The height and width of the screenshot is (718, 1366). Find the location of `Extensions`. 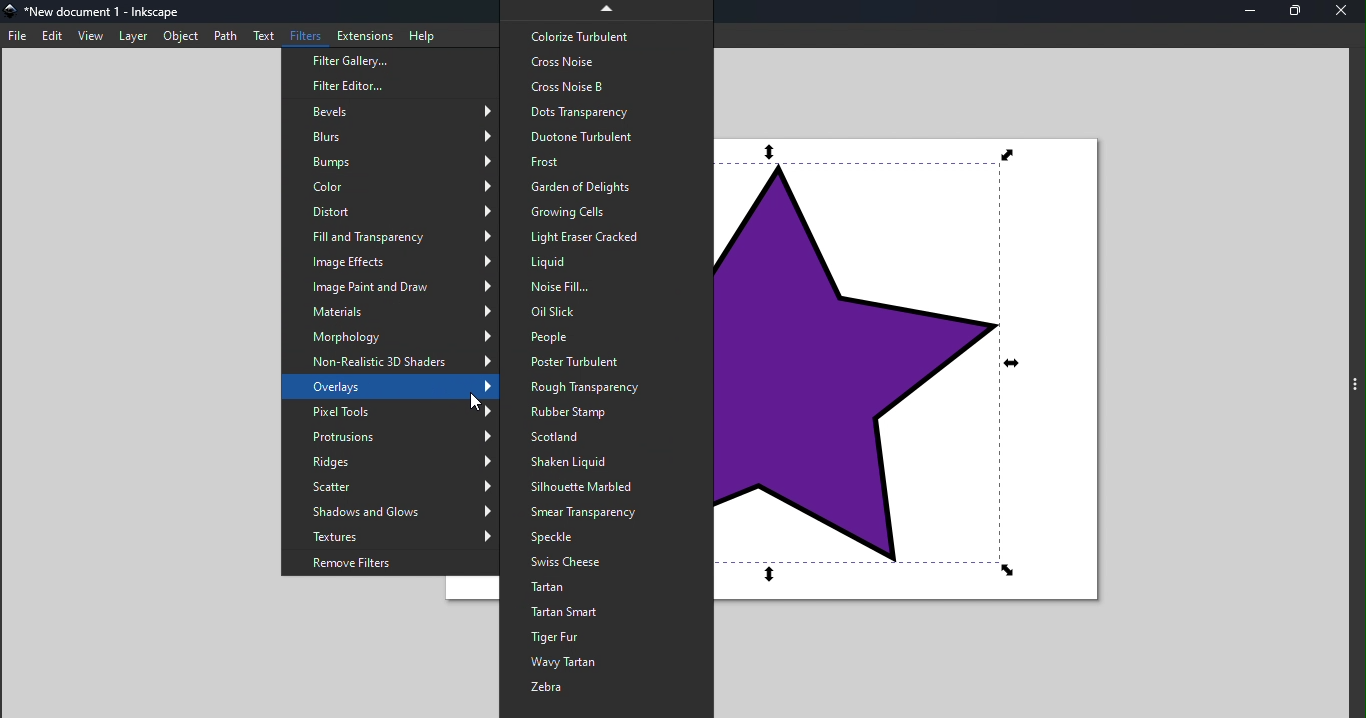

Extensions is located at coordinates (360, 34).